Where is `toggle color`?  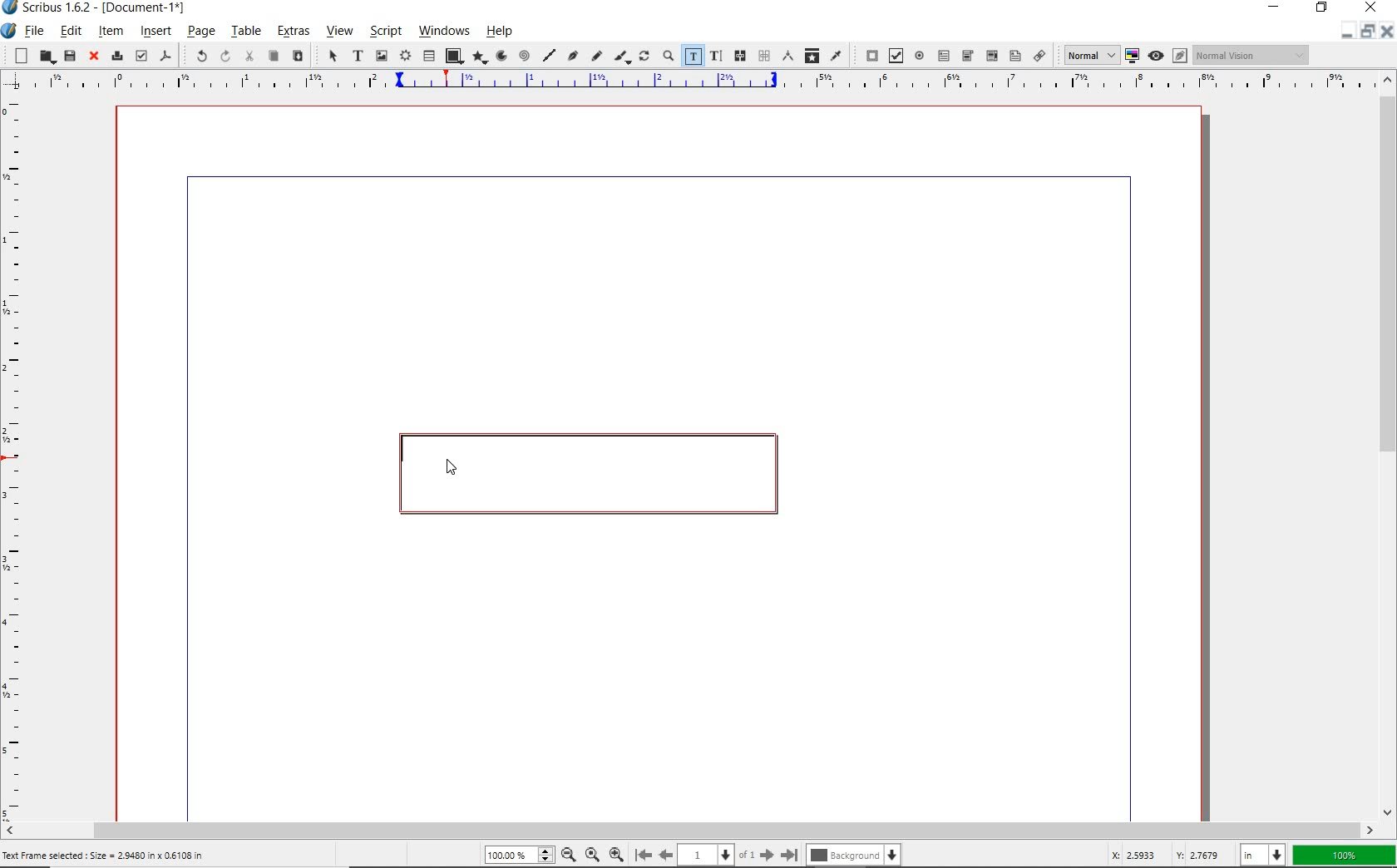
toggle color is located at coordinates (1133, 57).